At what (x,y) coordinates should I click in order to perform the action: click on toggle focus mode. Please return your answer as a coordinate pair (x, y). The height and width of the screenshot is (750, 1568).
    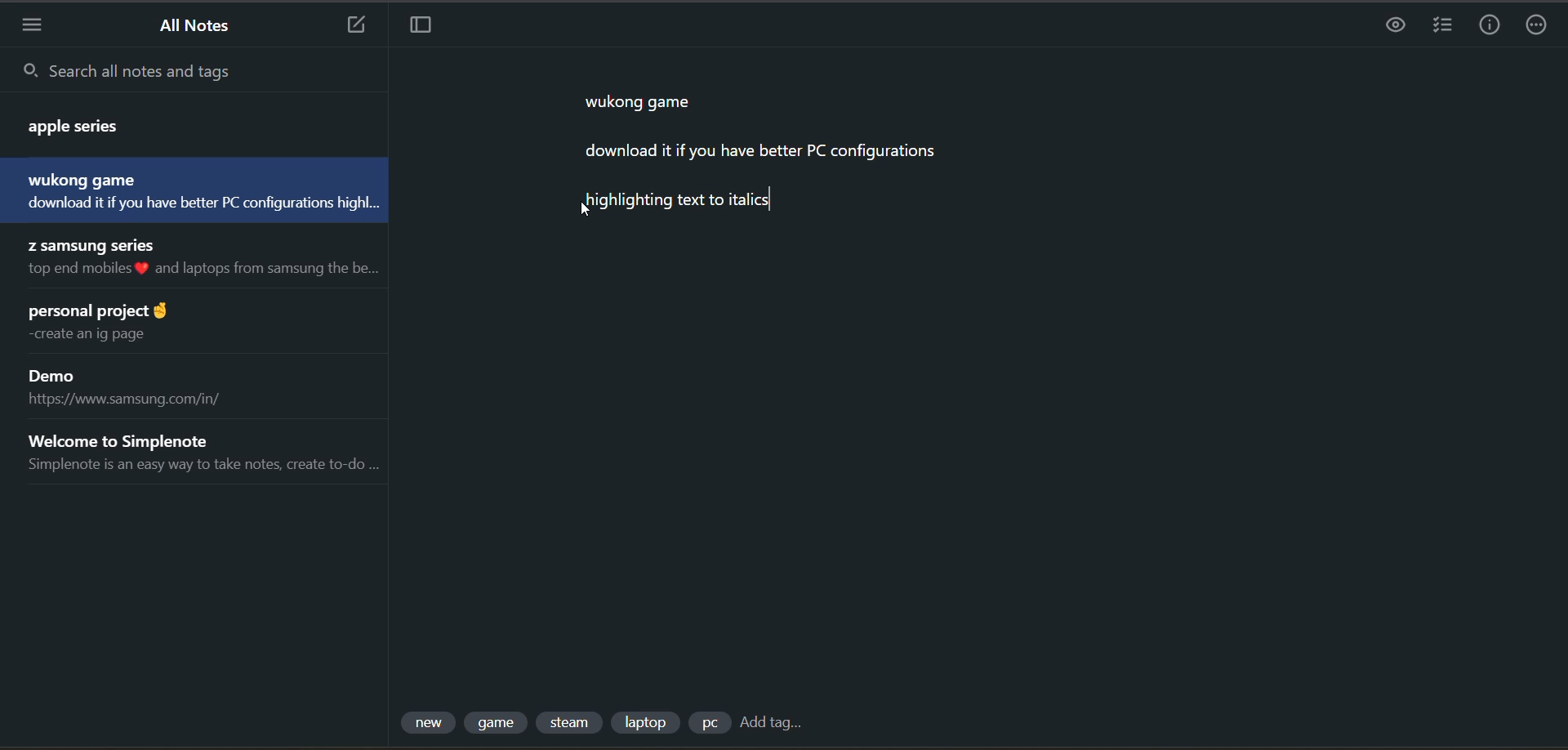
    Looking at the image, I should click on (421, 27).